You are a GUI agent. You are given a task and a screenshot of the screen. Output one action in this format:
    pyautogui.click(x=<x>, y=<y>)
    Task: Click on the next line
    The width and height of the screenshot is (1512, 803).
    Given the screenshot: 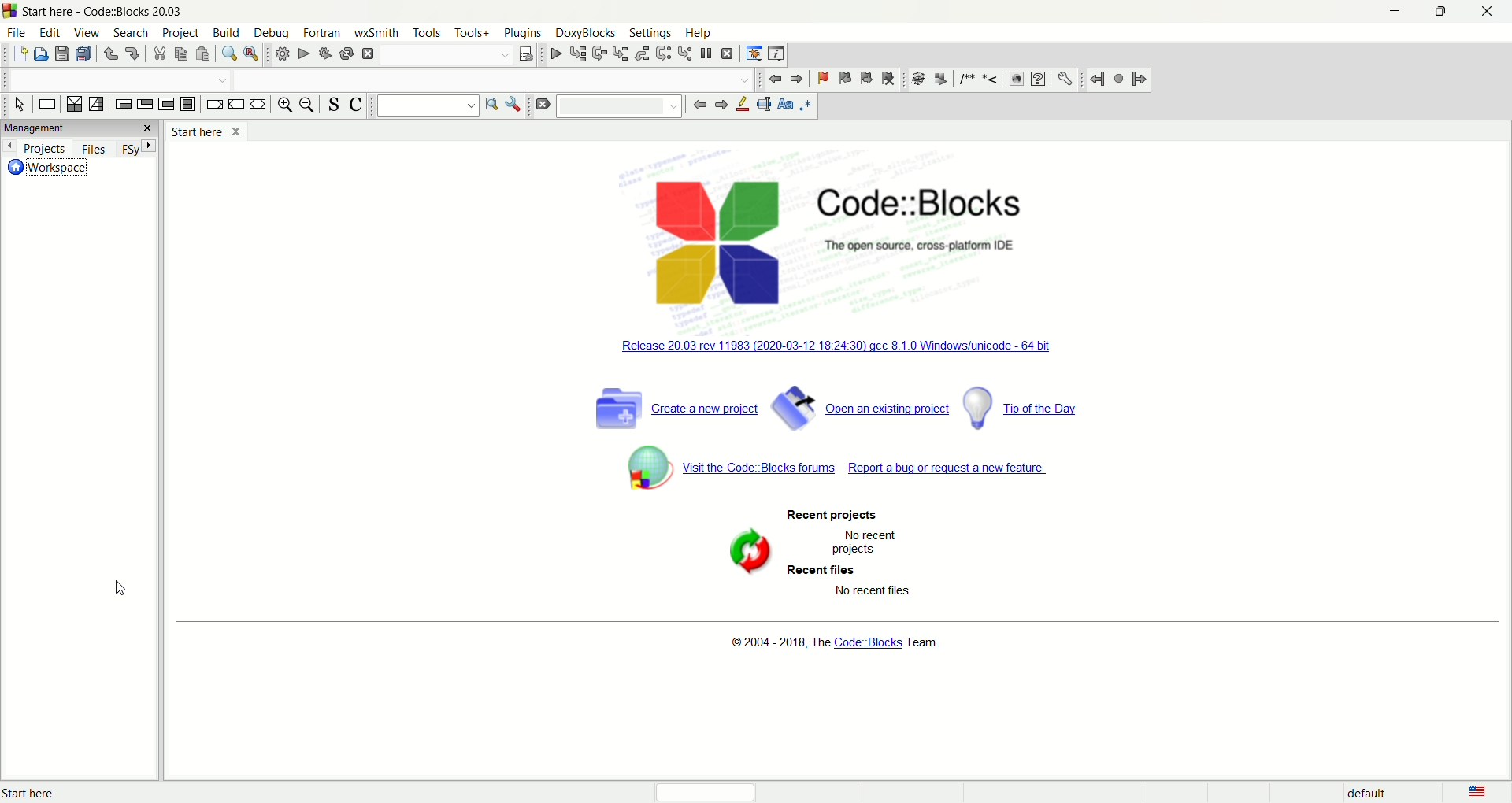 What is the action you would take?
    pyautogui.click(x=598, y=54)
    